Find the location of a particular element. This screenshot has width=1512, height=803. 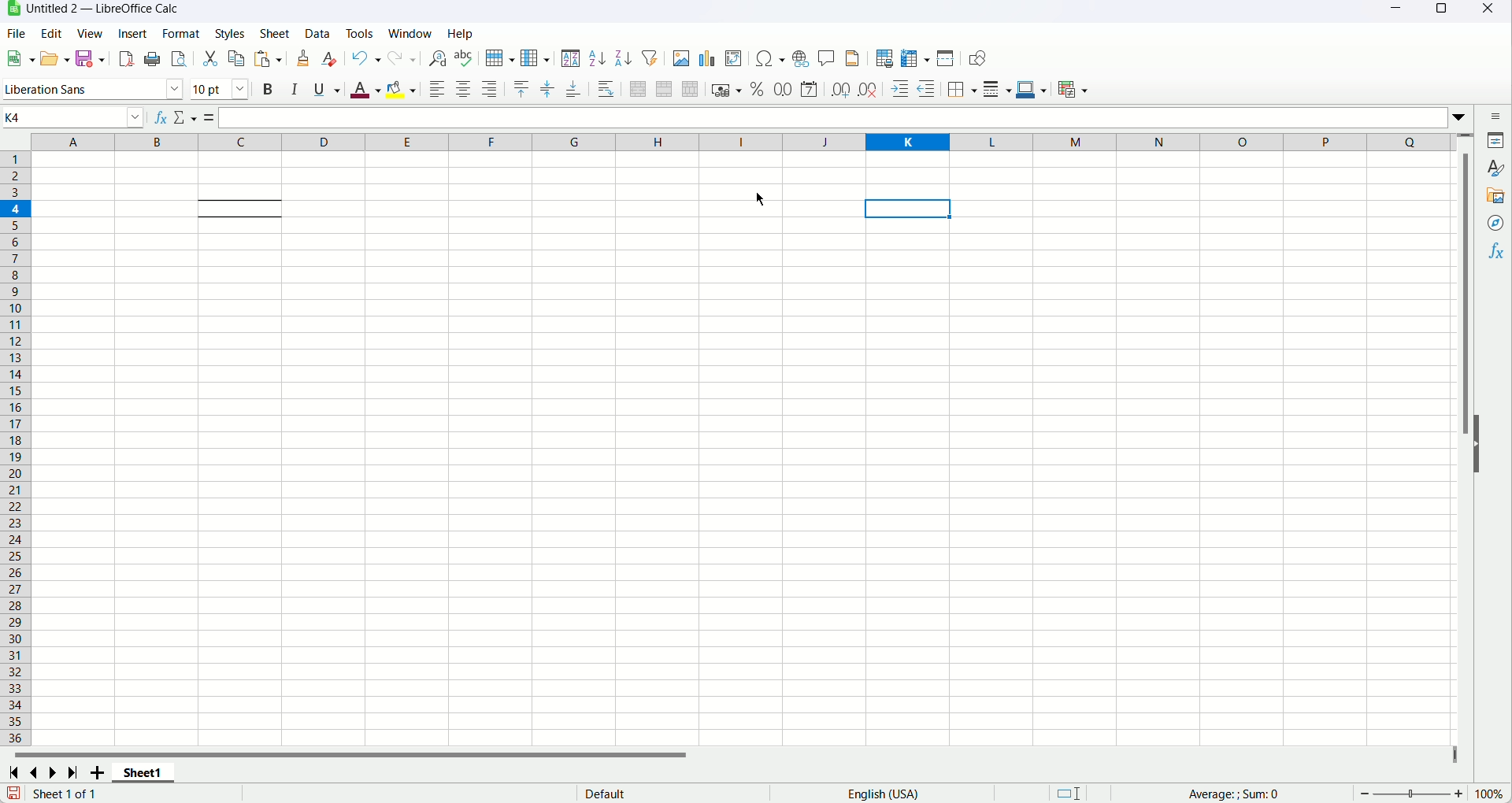

Row number is located at coordinates (16, 447).